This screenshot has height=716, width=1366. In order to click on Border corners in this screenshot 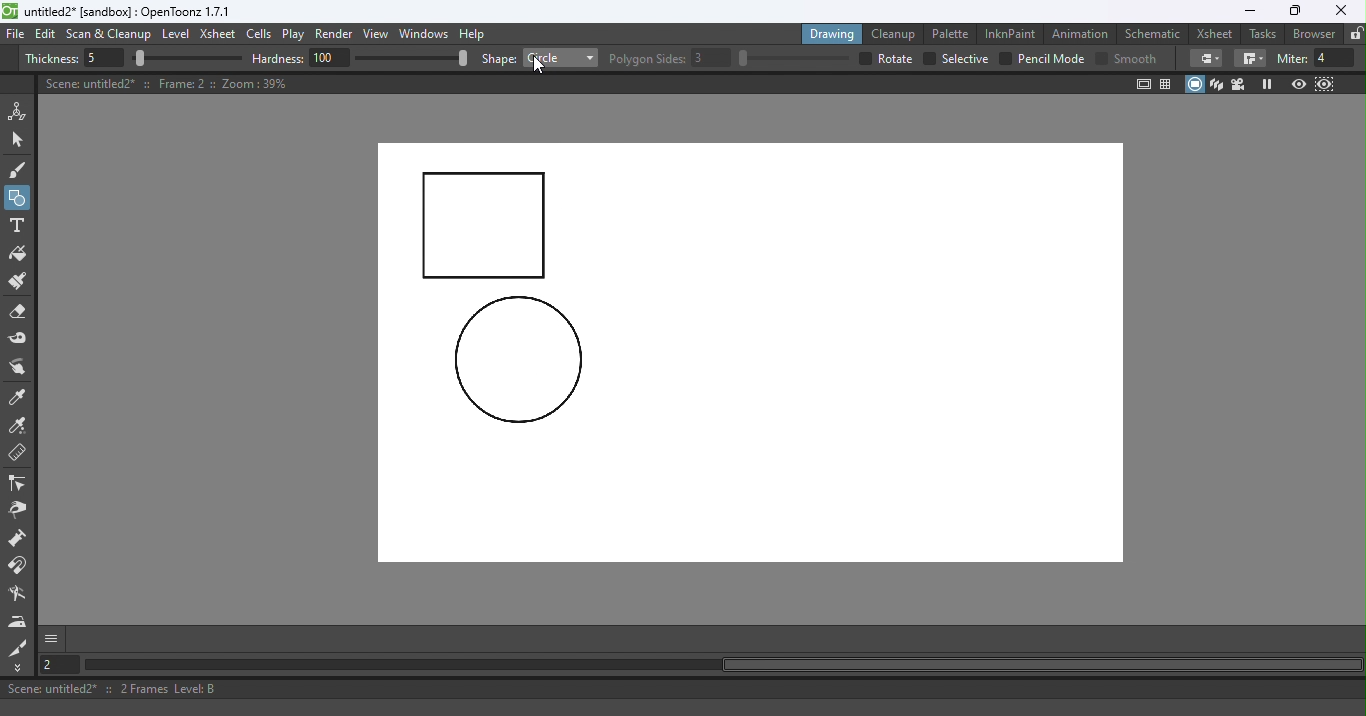, I will do `click(1250, 59)`.